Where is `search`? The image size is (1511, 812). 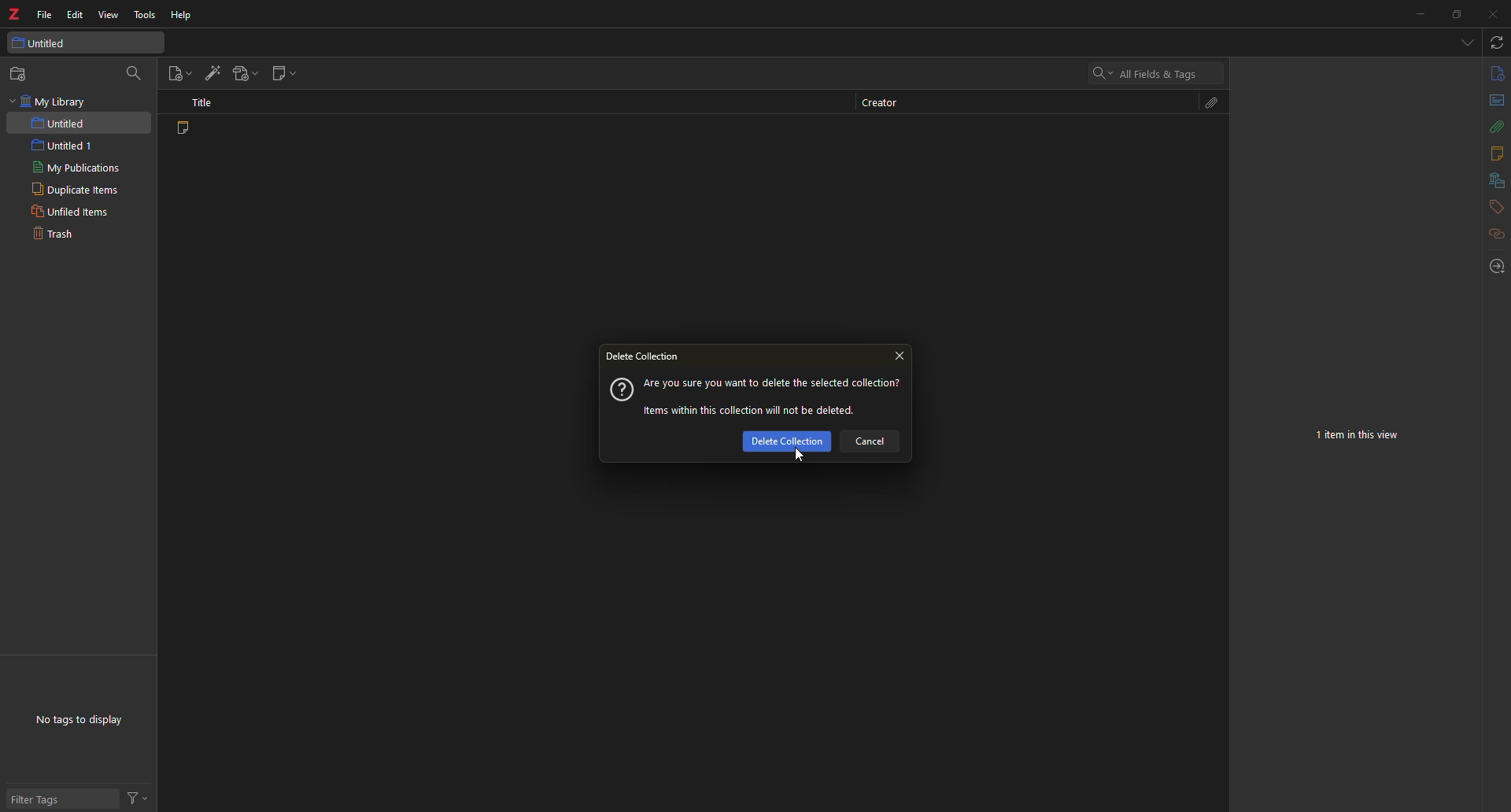
search is located at coordinates (139, 73).